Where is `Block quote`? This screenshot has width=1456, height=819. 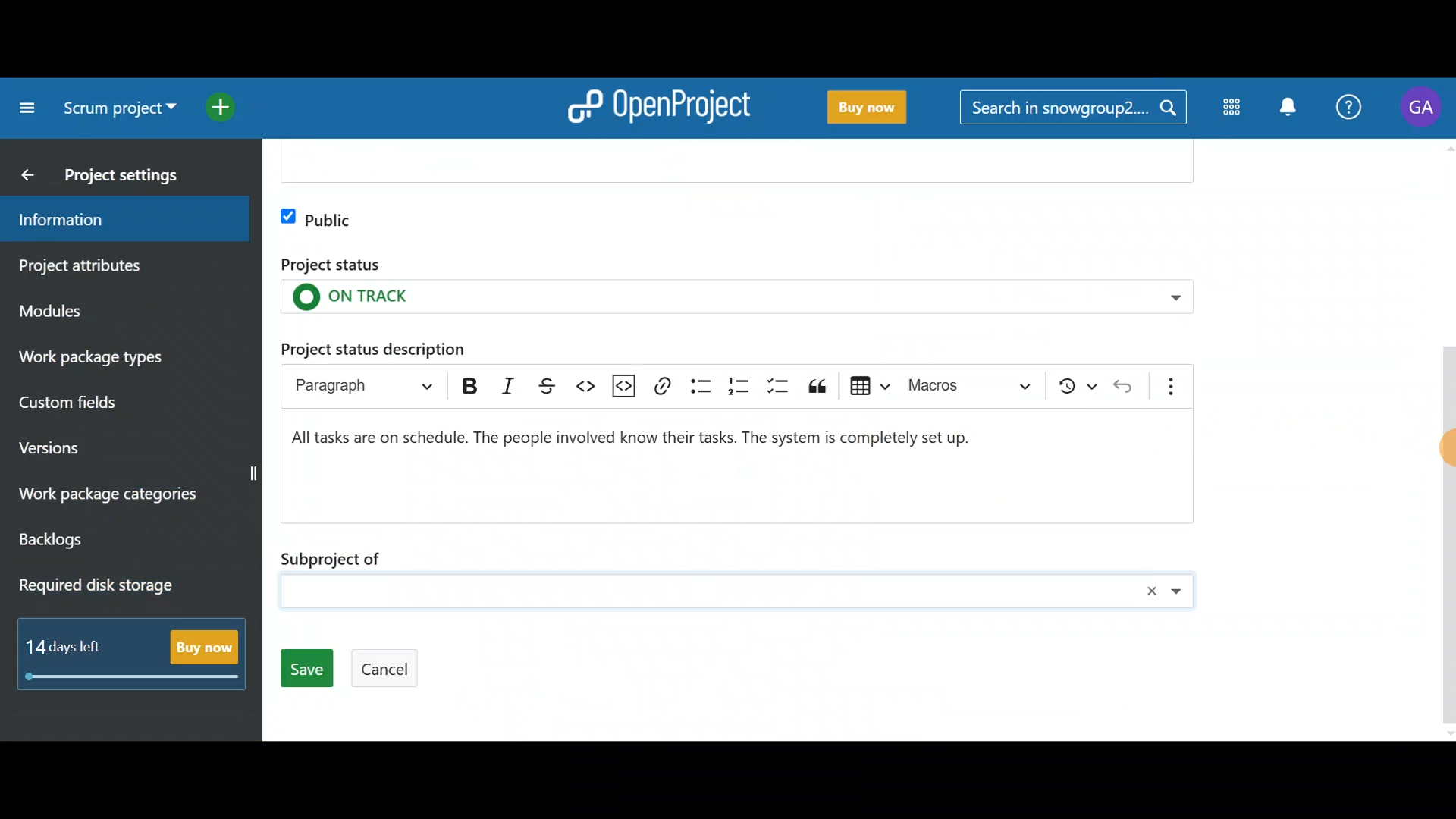 Block quote is located at coordinates (818, 387).